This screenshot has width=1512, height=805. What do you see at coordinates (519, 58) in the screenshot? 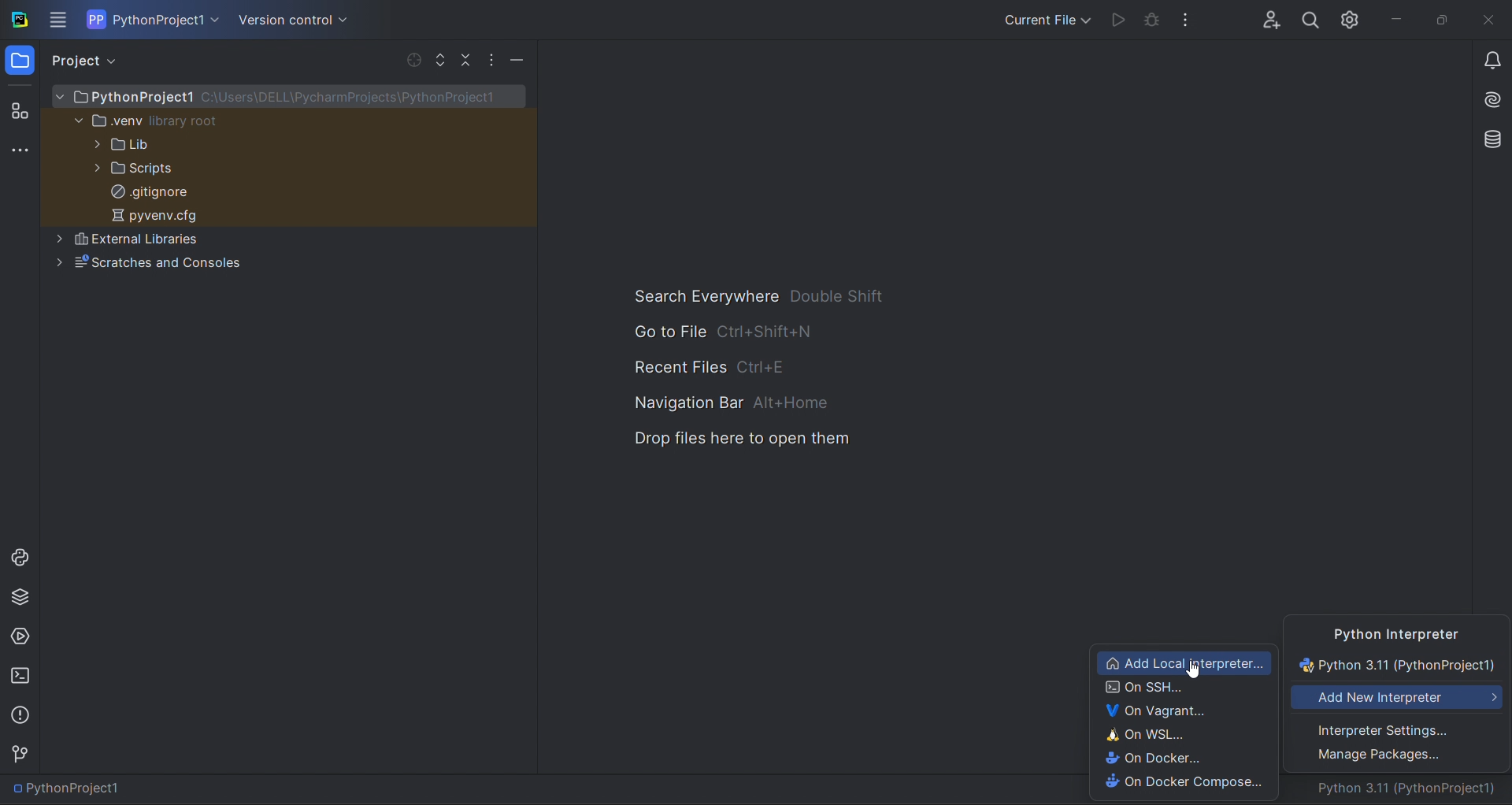
I see `minimize` at bounding box center [519, 58].